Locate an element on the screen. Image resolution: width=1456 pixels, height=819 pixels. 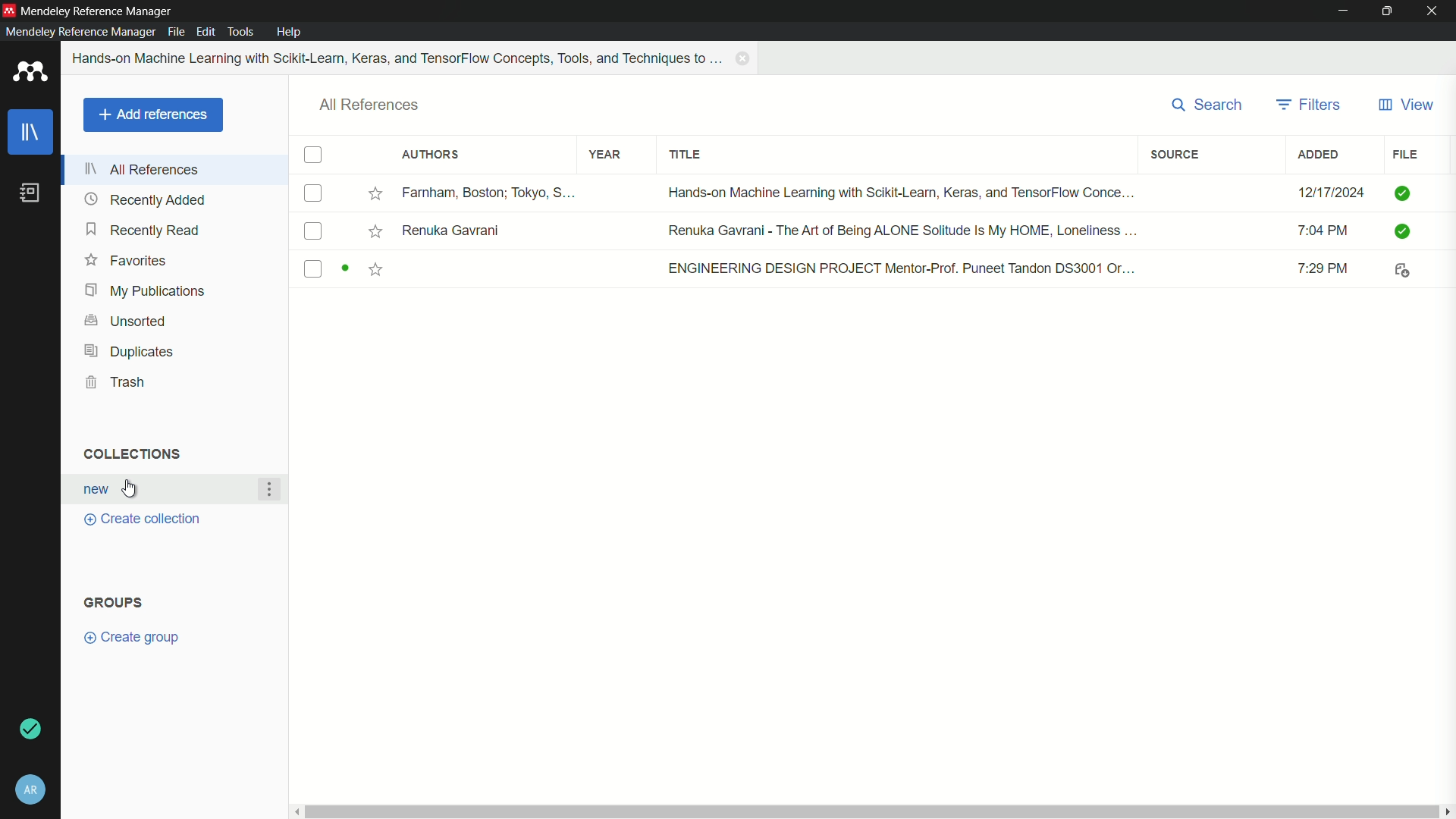
trash is located at coordinates (117, 383).